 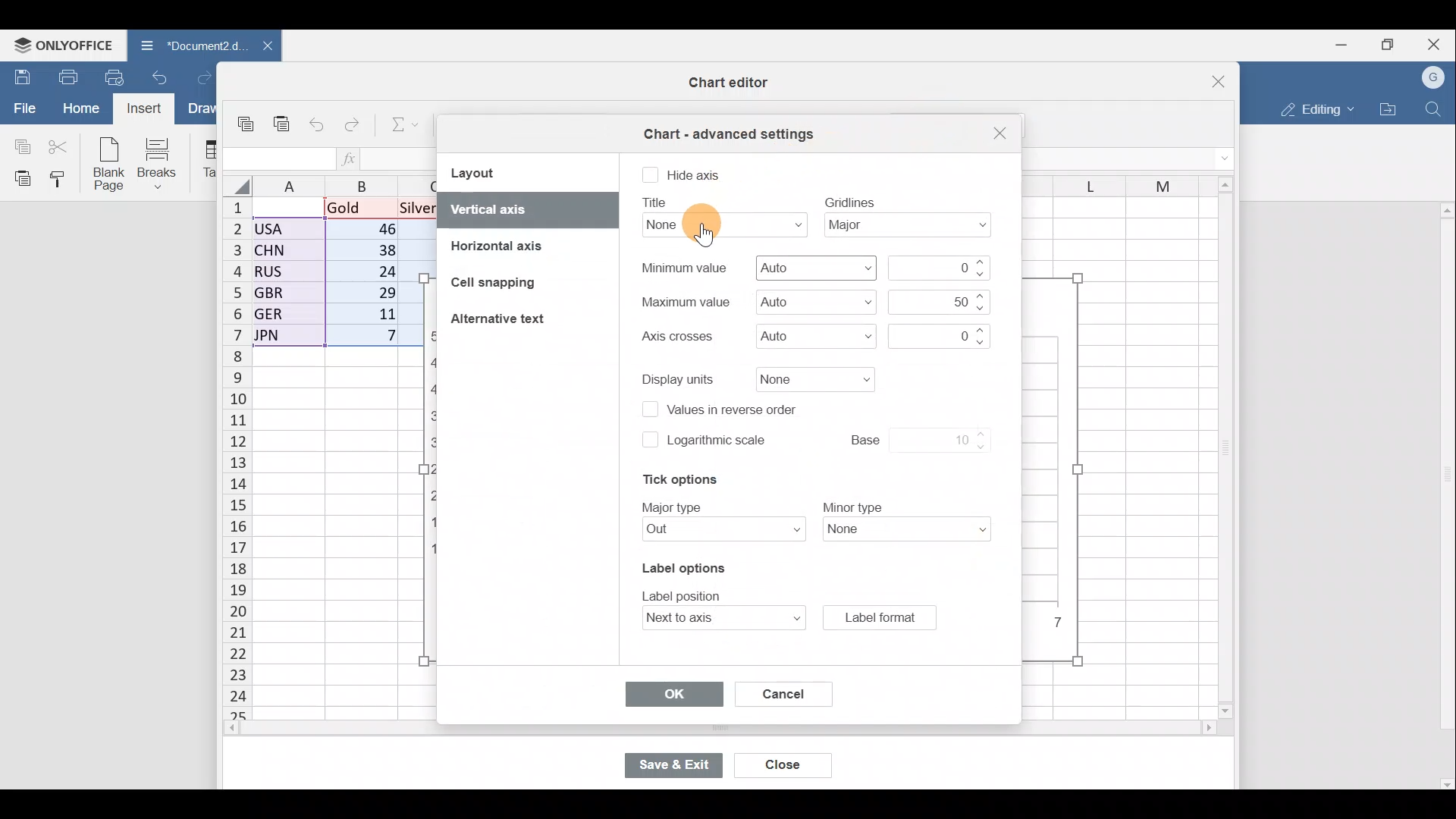 What do you see at coordinates (278, 155) in the screenshot?
I see `Cell name` at bounding box center [278, 155].